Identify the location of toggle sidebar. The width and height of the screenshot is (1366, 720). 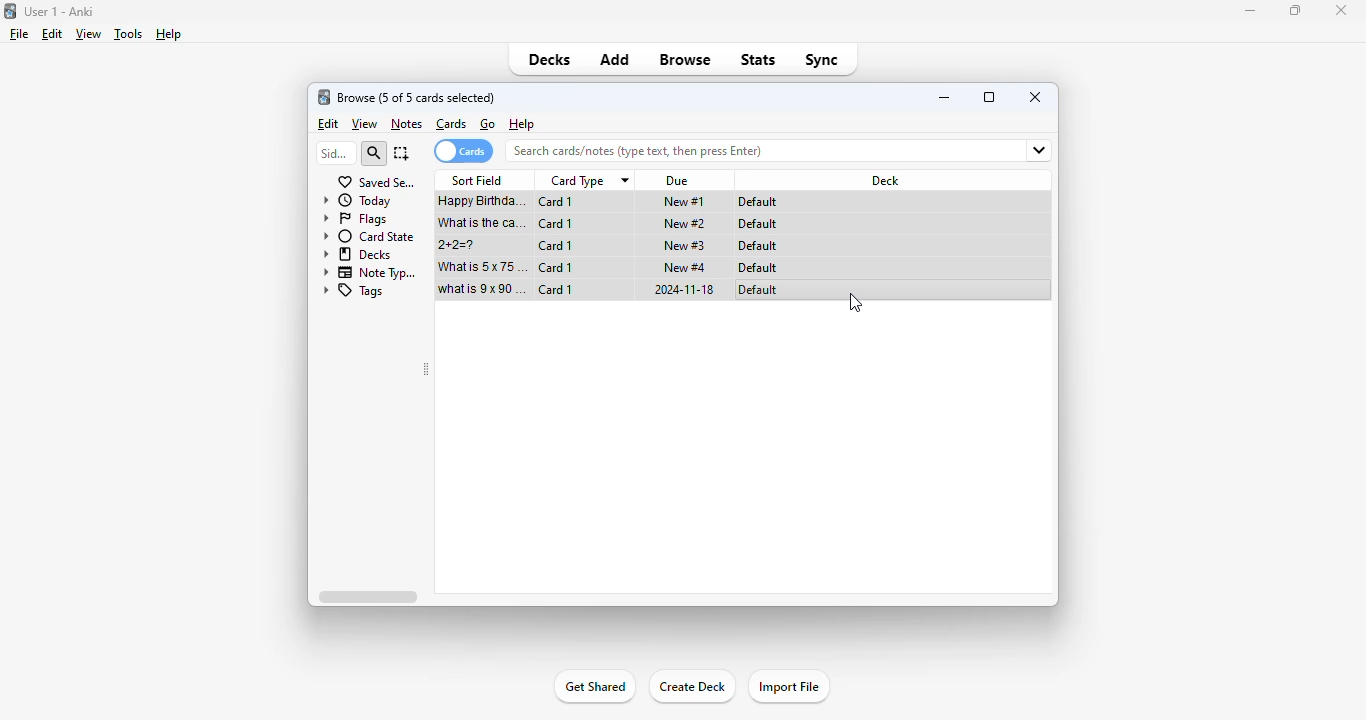
(426, 369).